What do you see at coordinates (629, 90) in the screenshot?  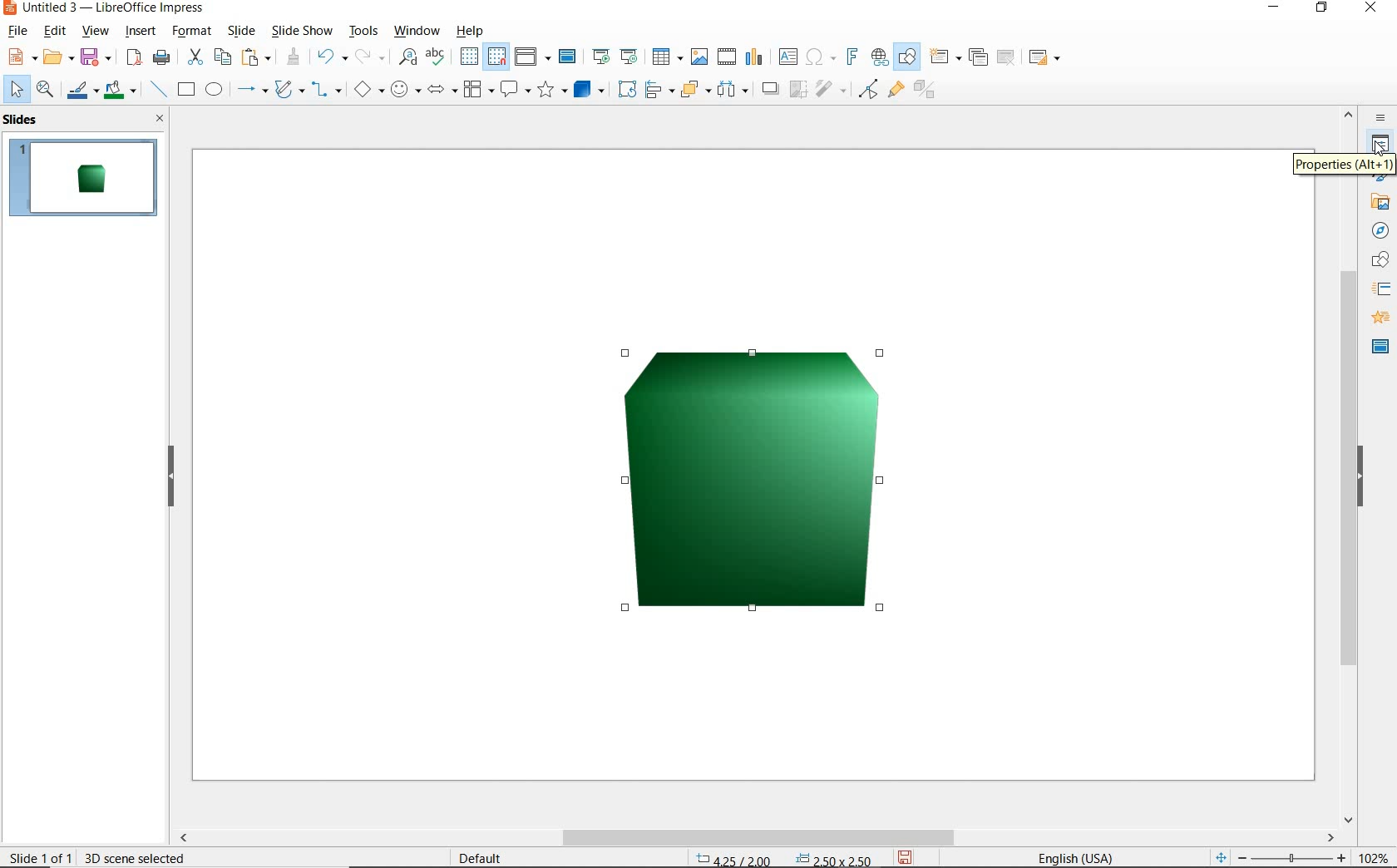 I see `ROTATE` at bounding box center [629, 90].